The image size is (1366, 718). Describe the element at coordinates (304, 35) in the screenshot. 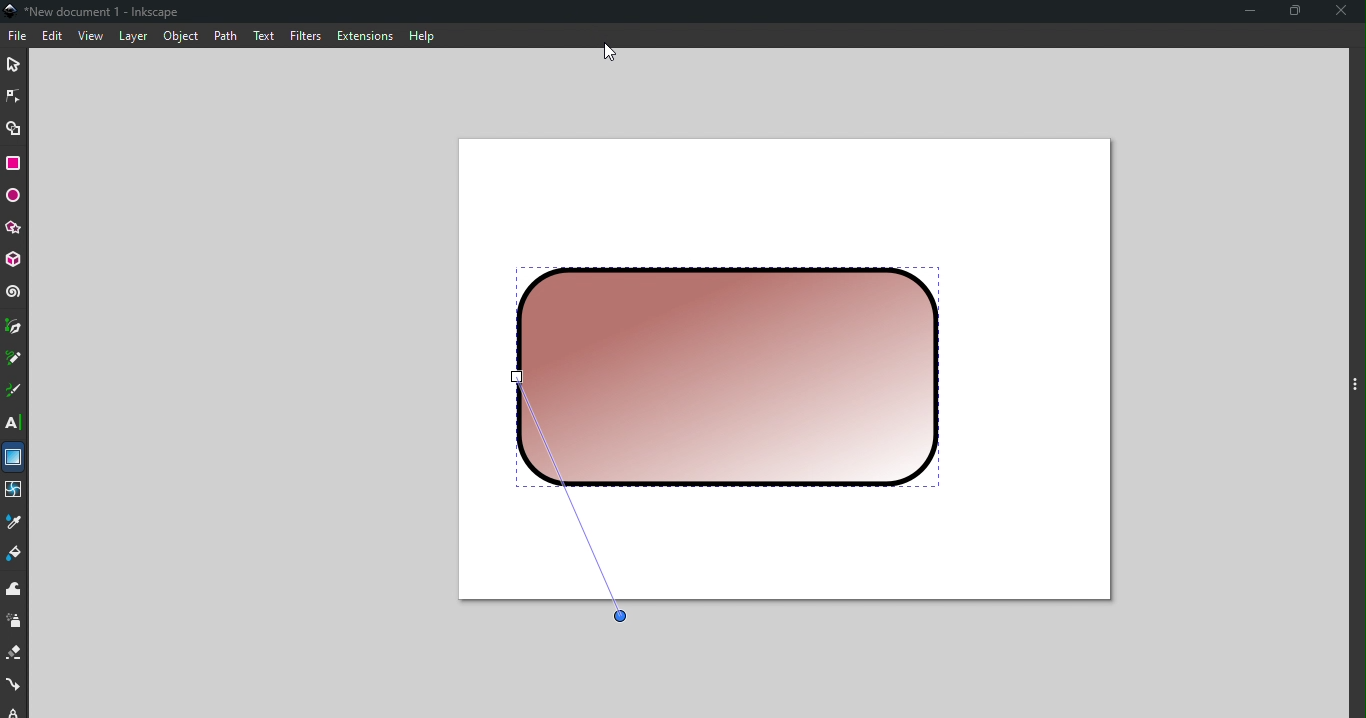

I see `Filters` at that location.